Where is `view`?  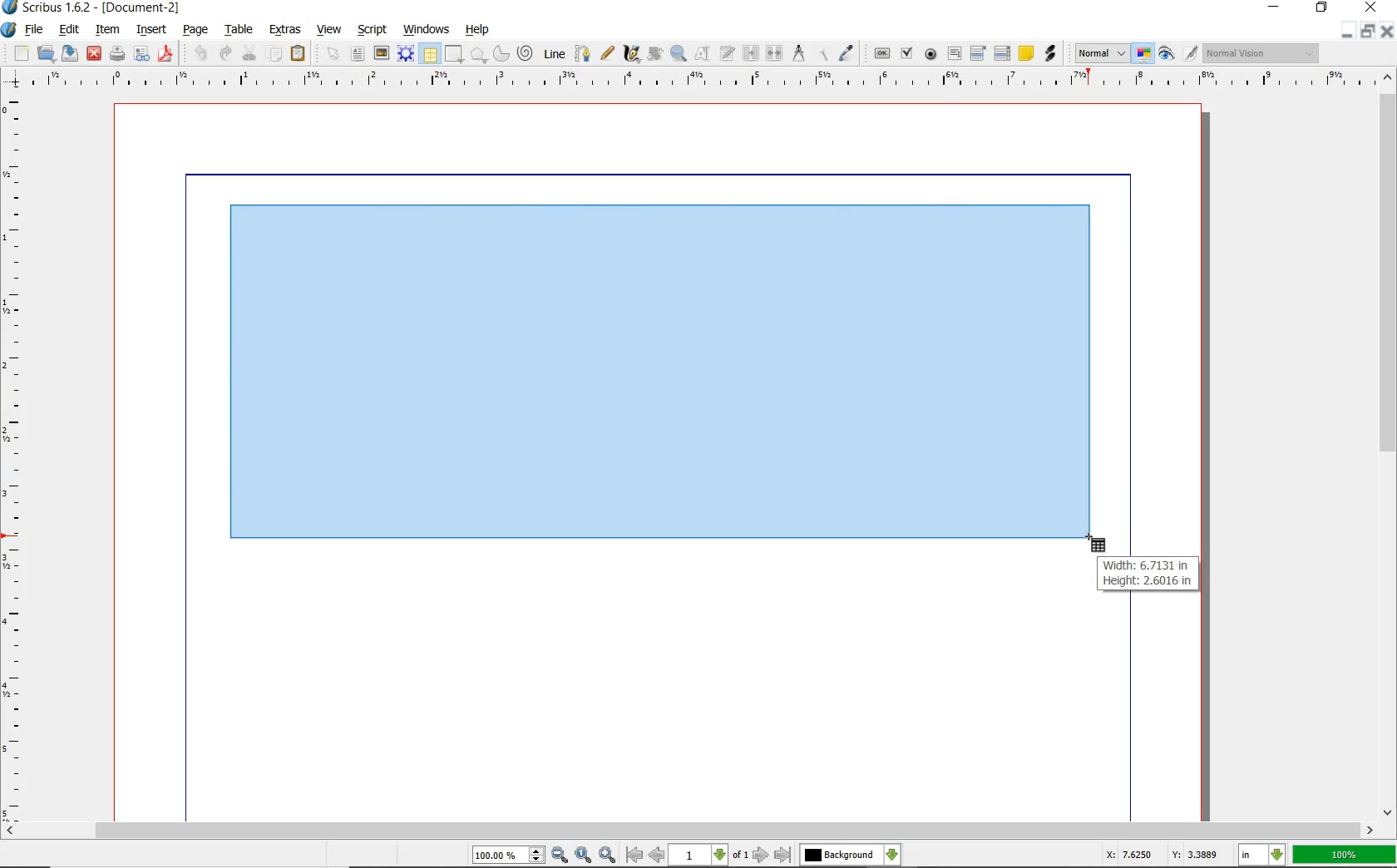 view is located at coordinates (329, 32).